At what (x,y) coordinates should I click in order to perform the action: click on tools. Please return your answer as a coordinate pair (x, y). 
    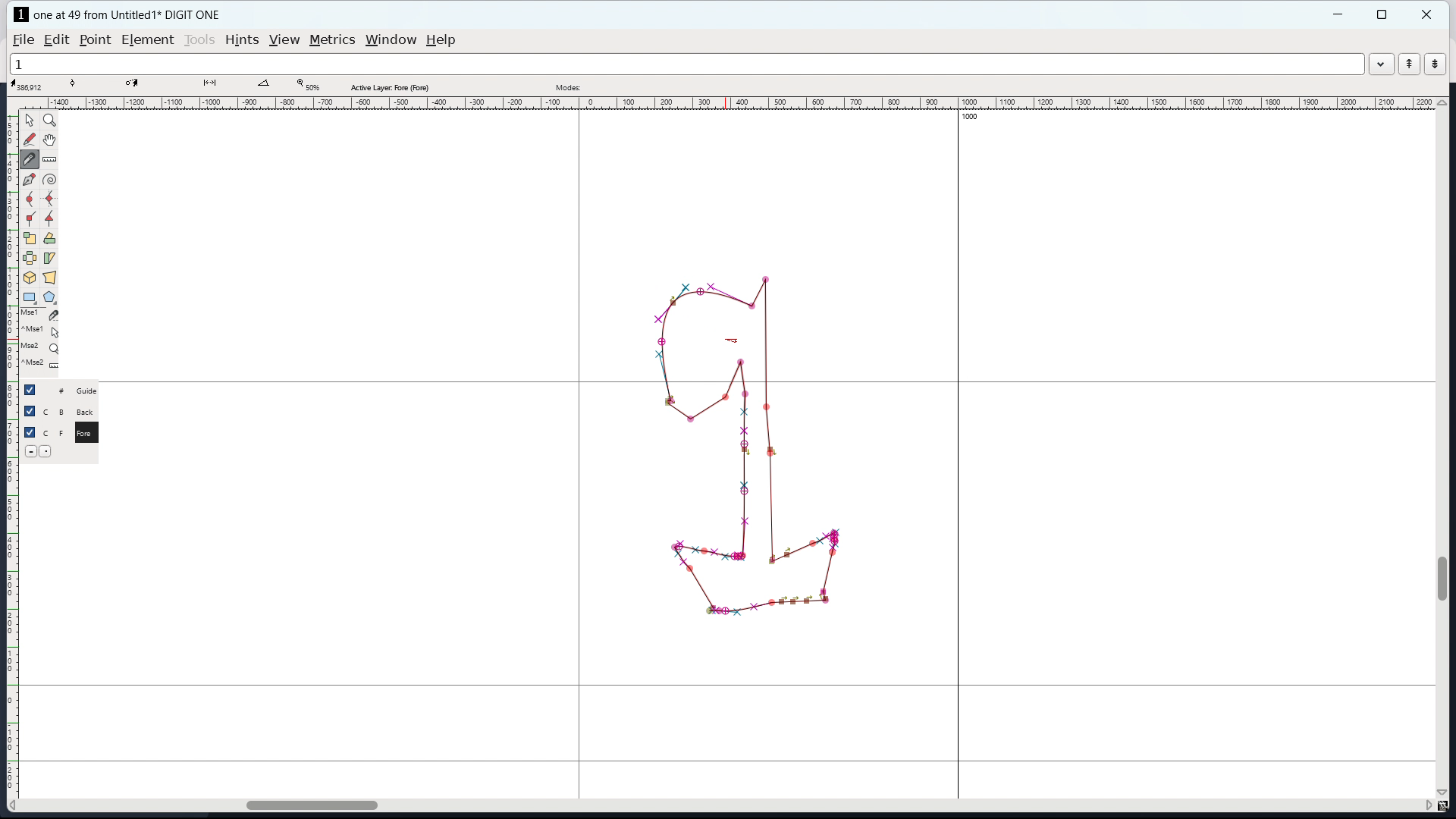
    Looking at the image, I should click on (199, 40).